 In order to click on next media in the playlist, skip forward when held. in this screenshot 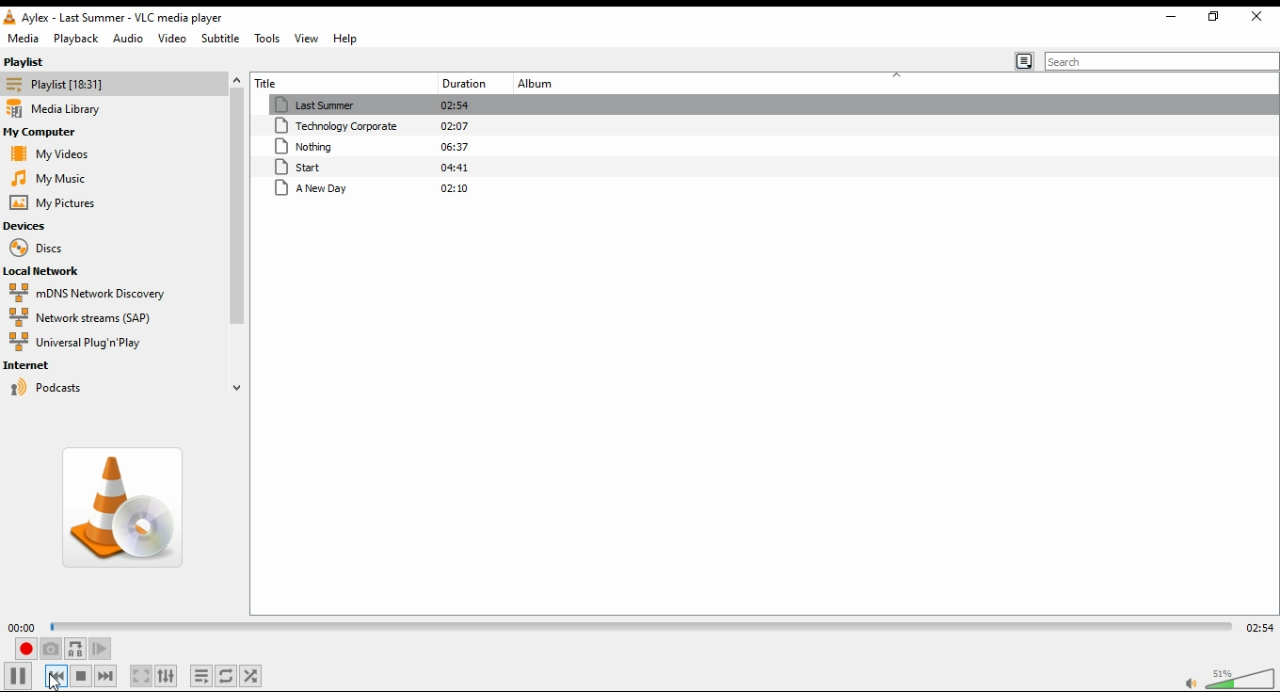, I will do `click(105, 676)`.